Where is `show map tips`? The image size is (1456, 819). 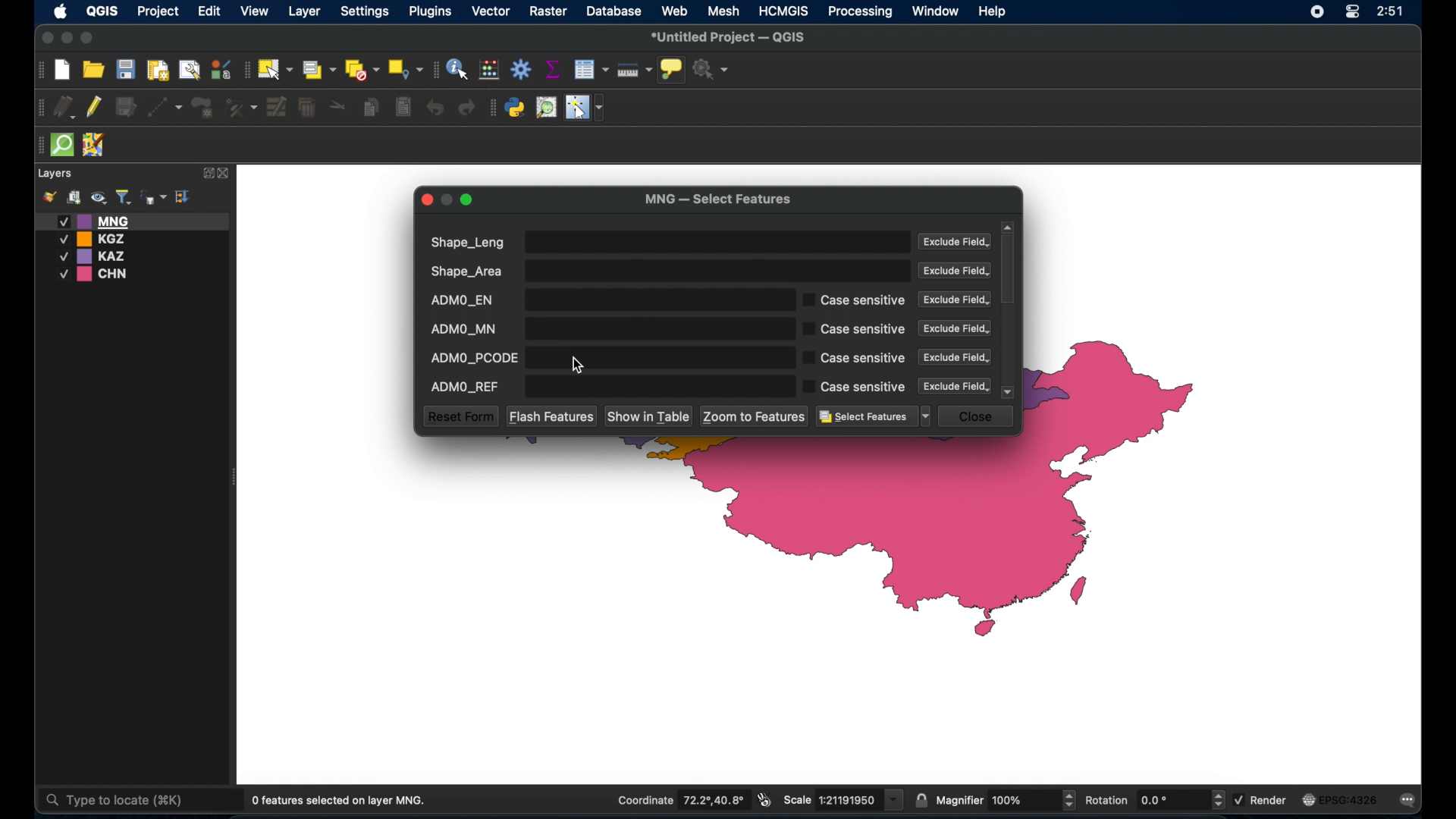 show map tips is located at coordinates (673, 71).